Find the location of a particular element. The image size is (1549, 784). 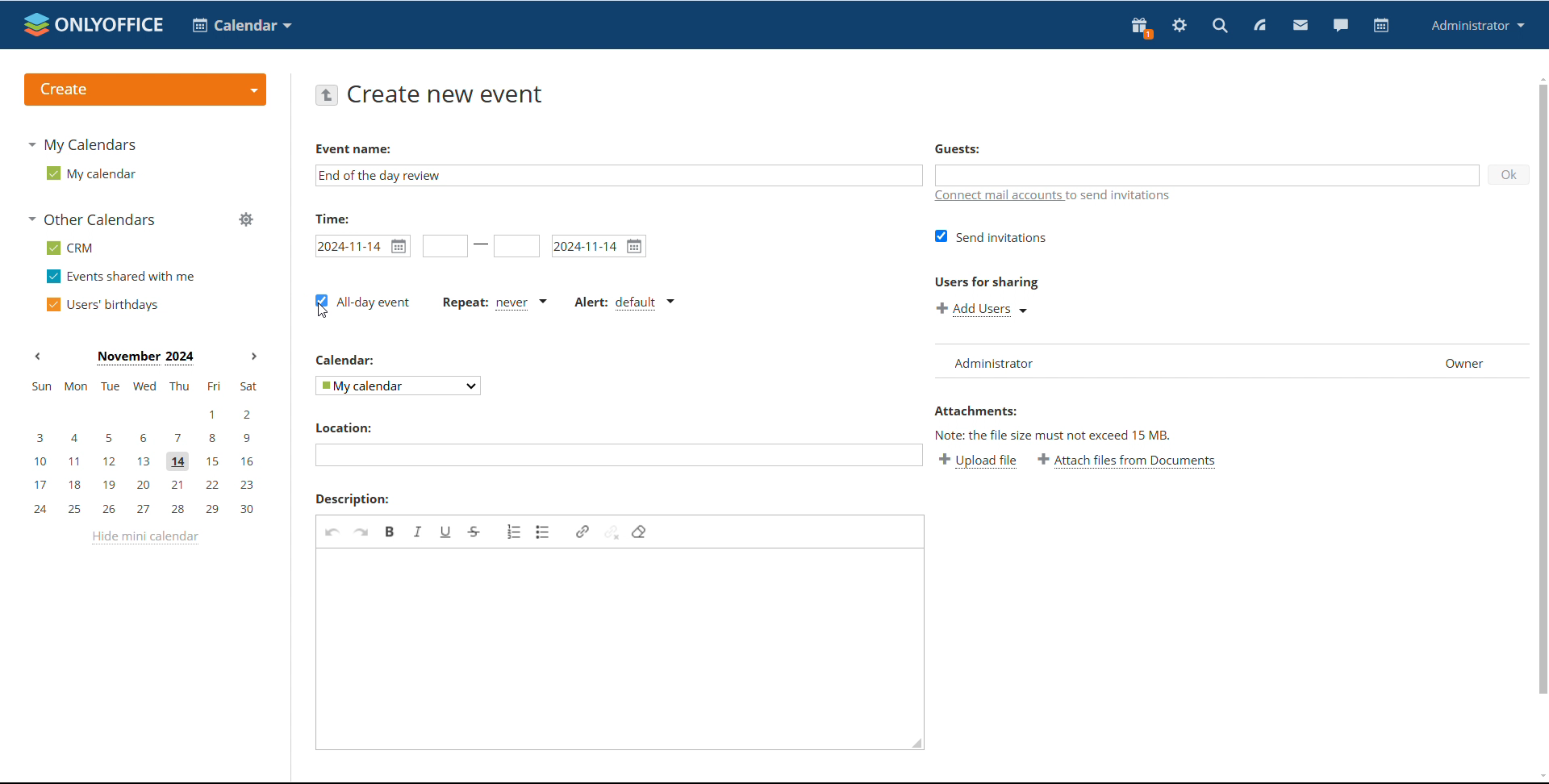

my calendar is located at coordinates (90, 173).